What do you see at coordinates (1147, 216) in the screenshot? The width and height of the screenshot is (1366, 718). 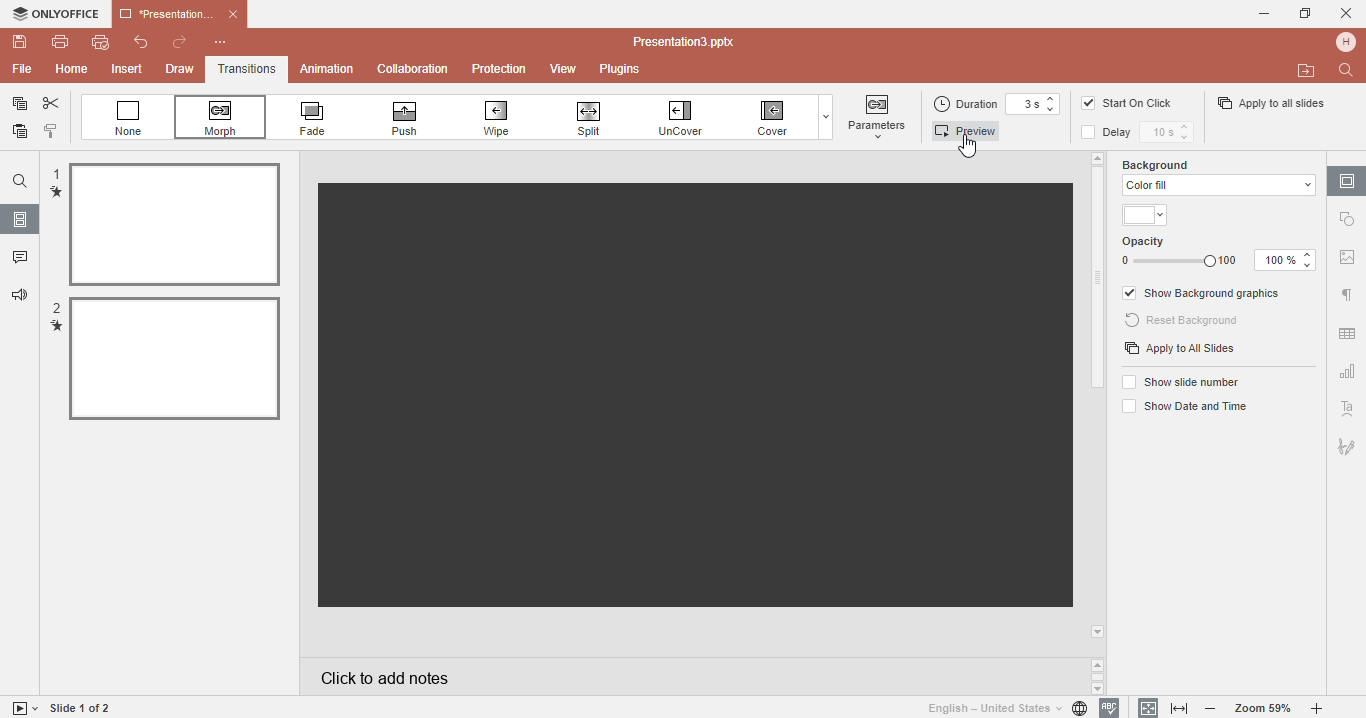 I see `Themes color` at bounding box center [1147, 216].